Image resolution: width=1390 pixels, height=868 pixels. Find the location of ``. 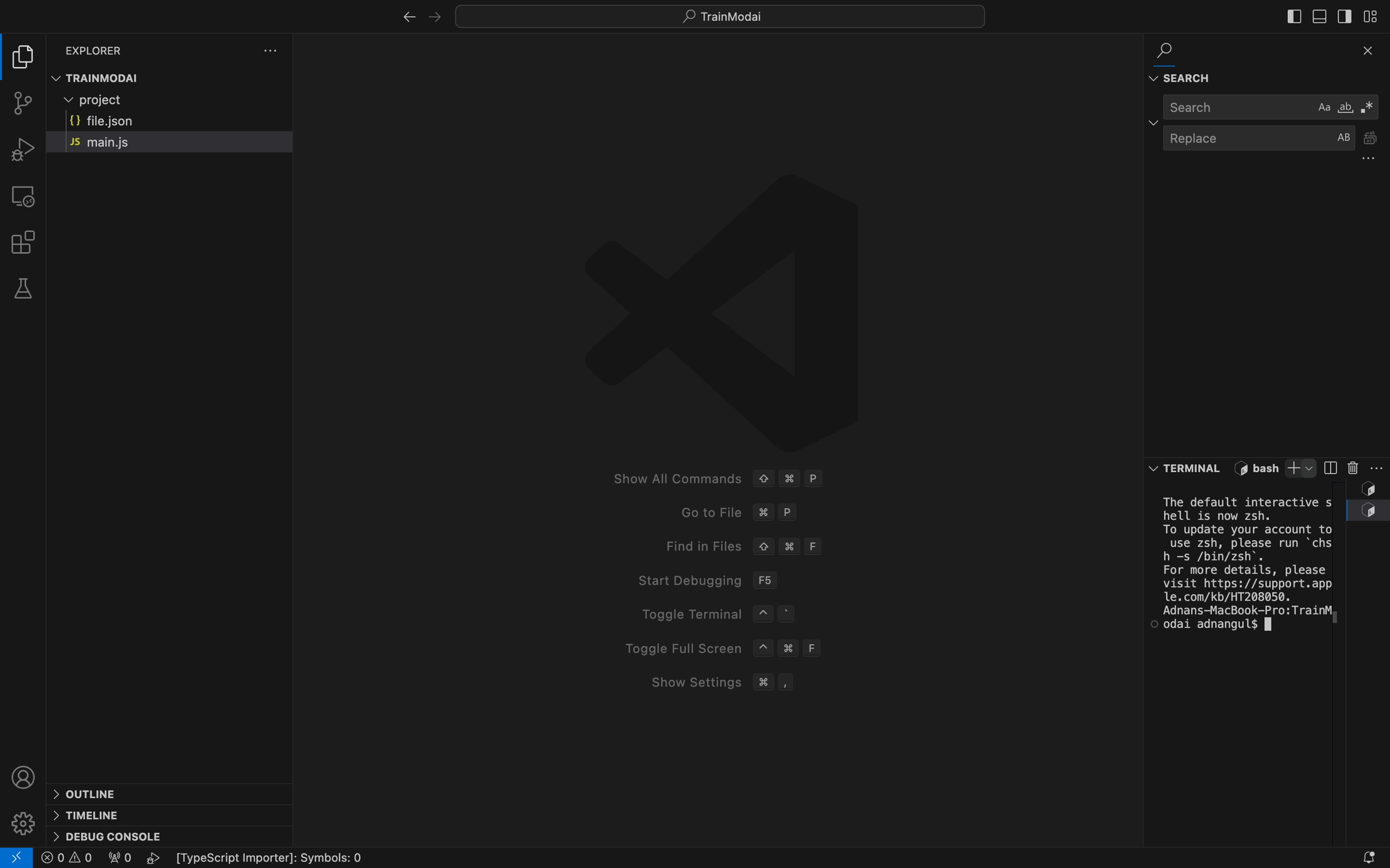

 is located at coordinates (109, 833).